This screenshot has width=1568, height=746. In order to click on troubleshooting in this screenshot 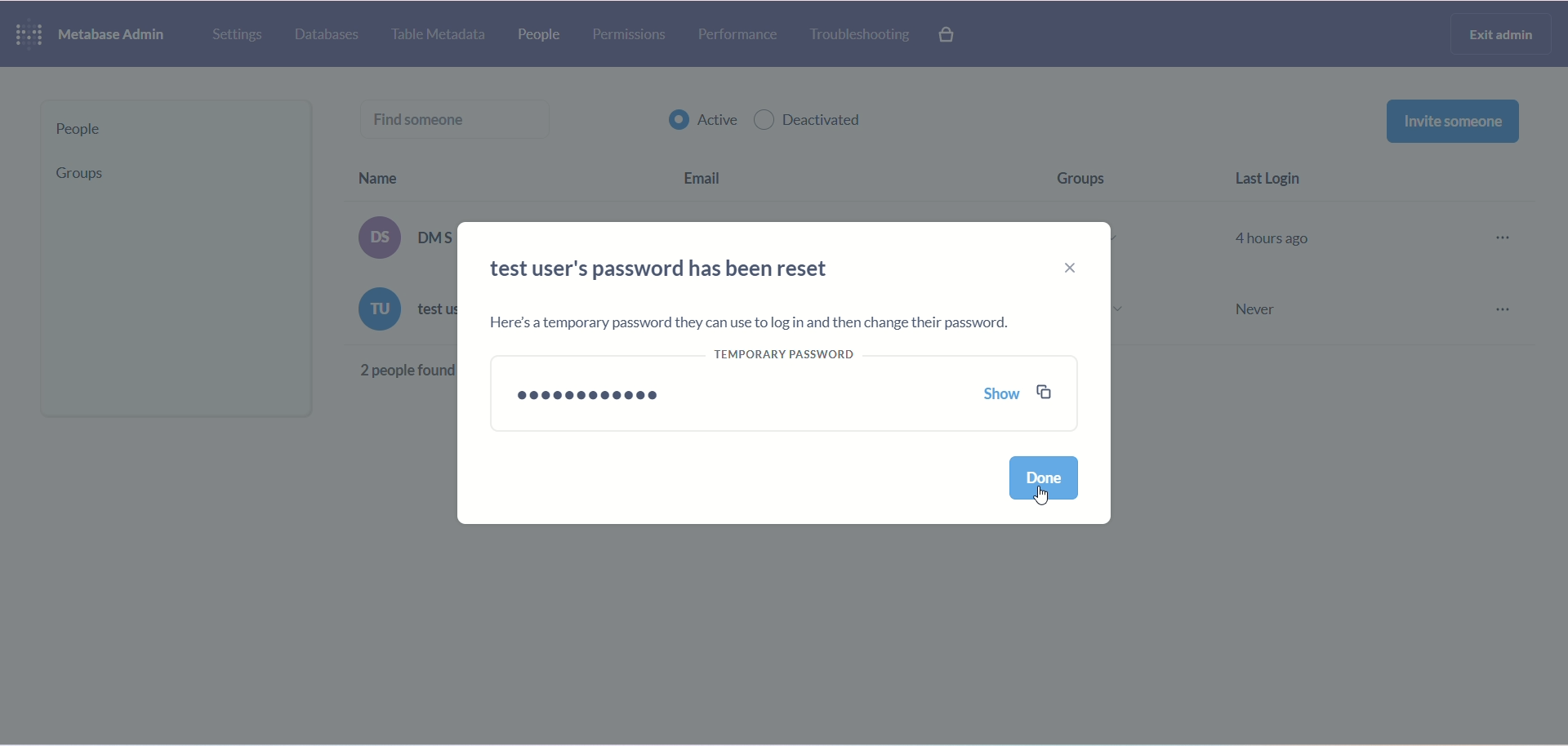, I will do `click(858, 34)`.